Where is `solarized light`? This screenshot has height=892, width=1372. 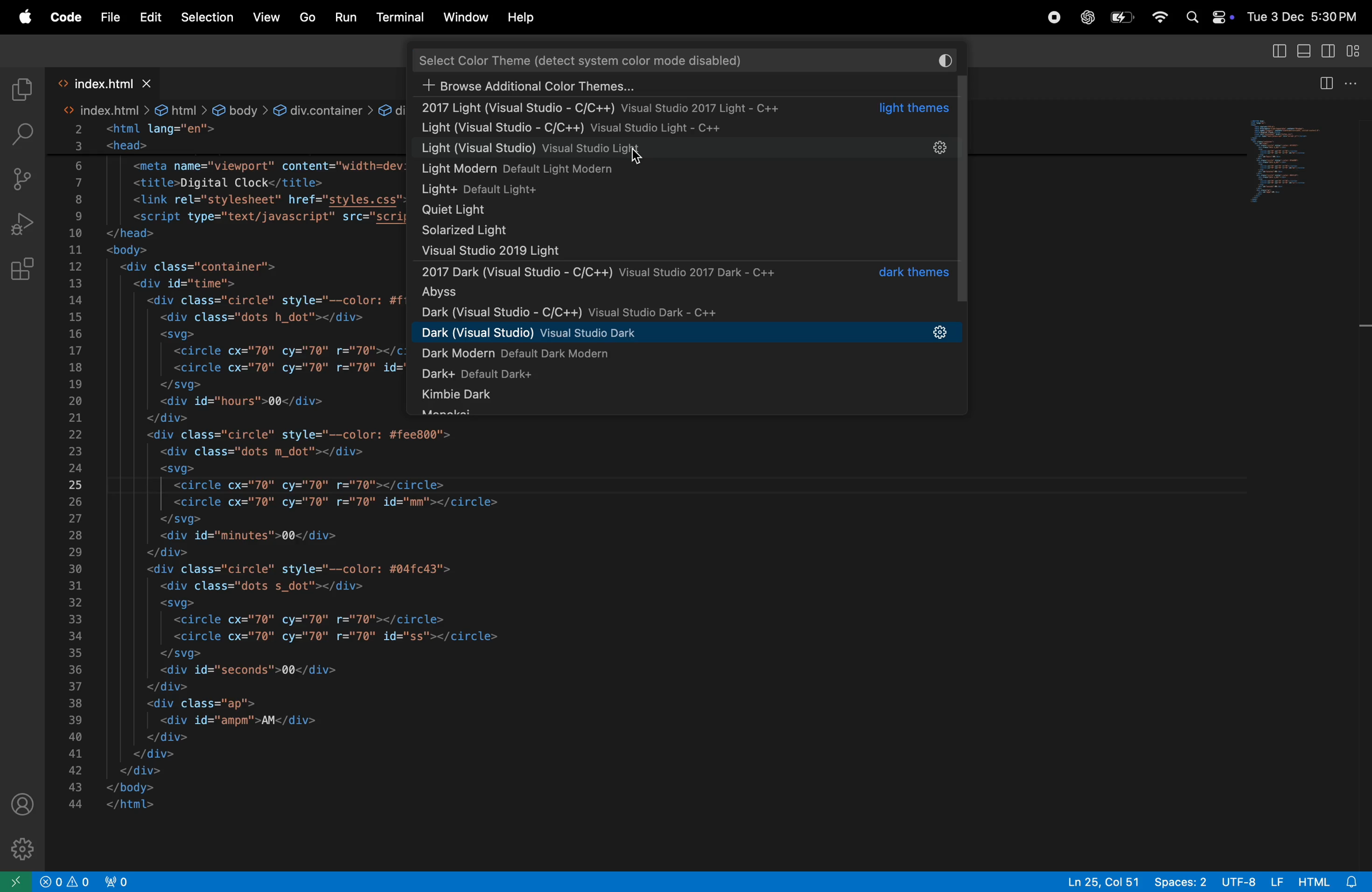
solarized light is located at coordinates (674, 230).